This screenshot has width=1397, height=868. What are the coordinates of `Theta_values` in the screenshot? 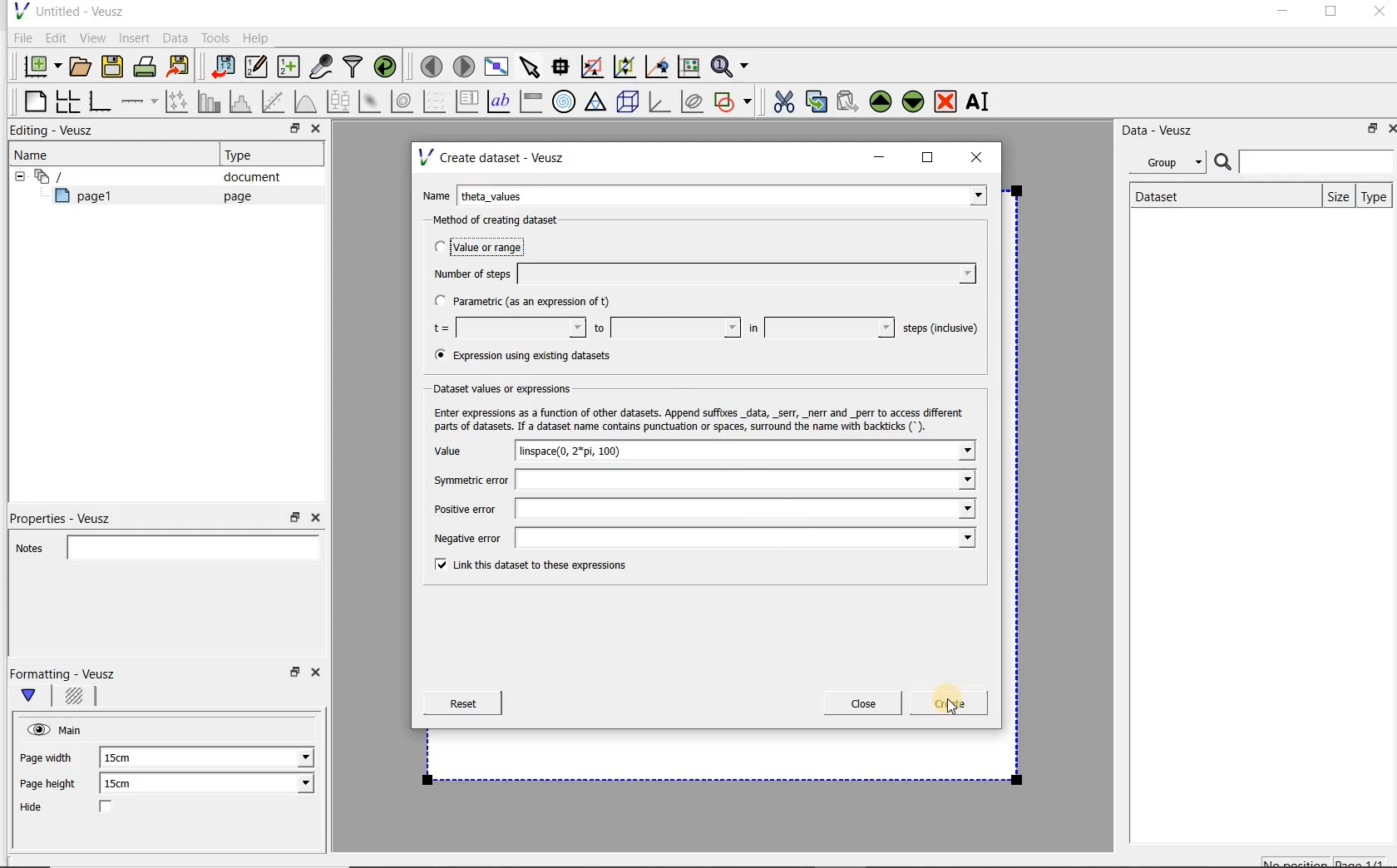 It's located at (726, 198).